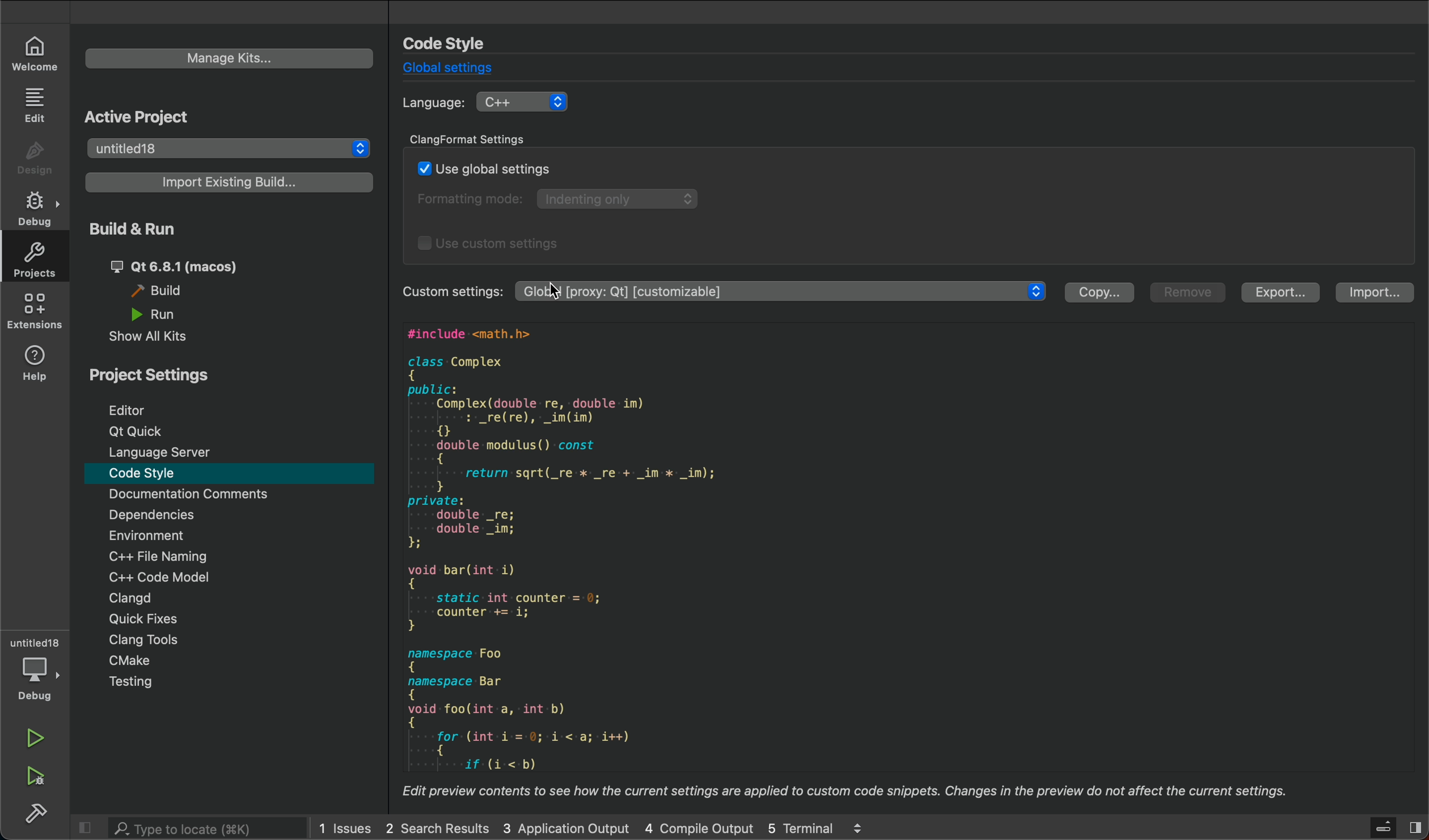  Describe the element at coordinates (849, 791) in the screenshot. I see `Edit preview contents to see how the current settings are applied to custom code snippets. Changes in the preview do not affect the current settings.` at that location.